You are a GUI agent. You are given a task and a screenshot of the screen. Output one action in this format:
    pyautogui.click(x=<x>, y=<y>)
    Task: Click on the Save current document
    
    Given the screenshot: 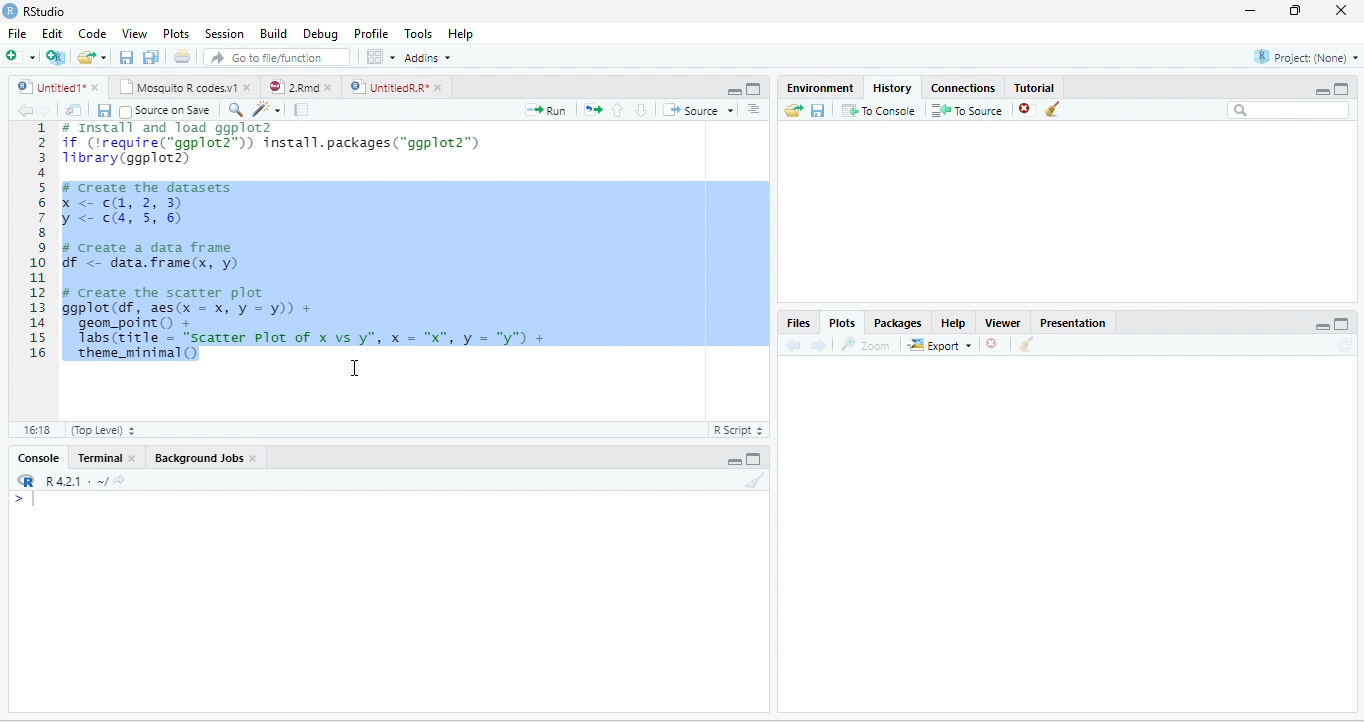 What is the action you would take?
    pyautogui.click(x=104, y=111)
    